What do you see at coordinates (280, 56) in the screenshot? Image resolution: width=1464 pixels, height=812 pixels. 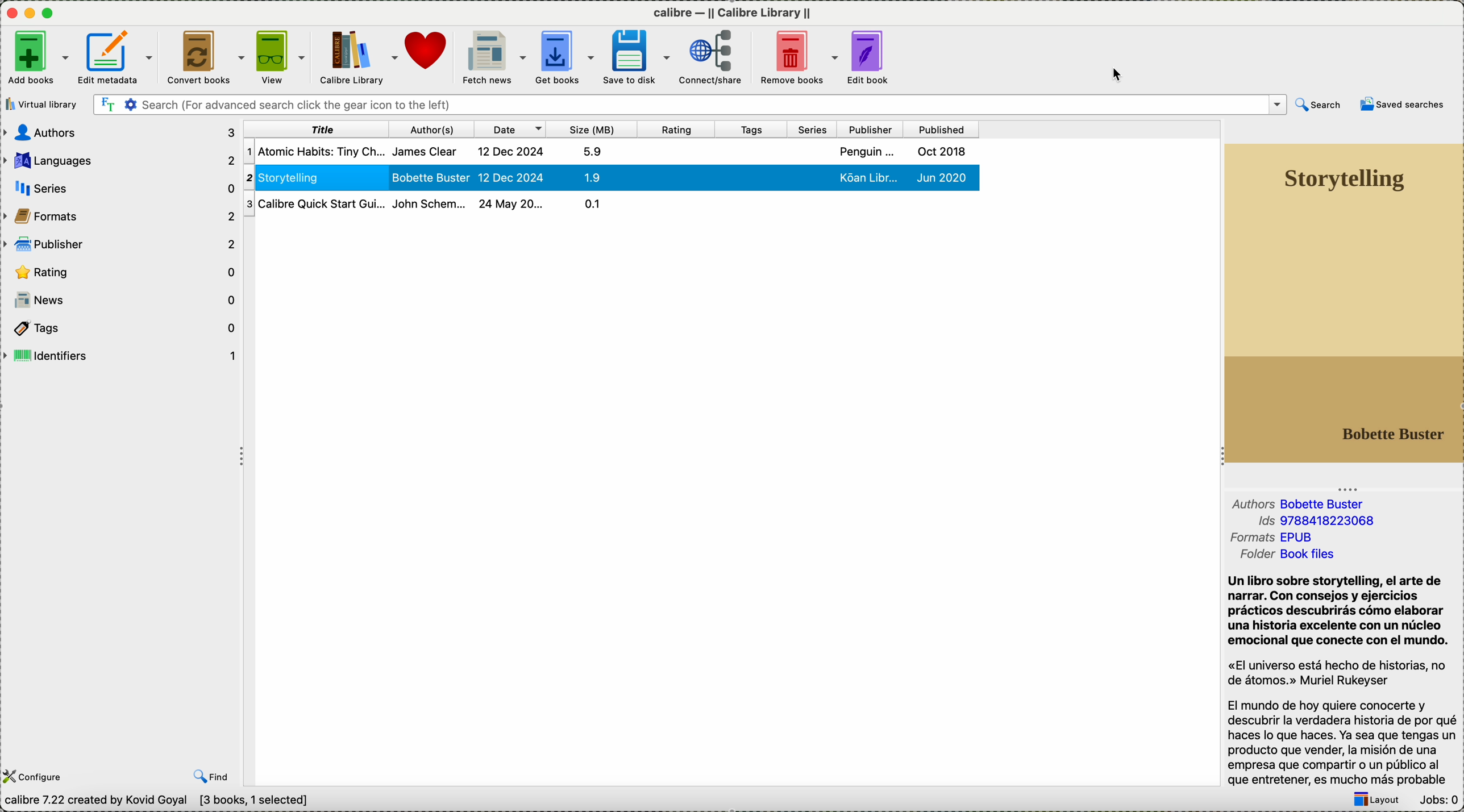 I see `view` at bounding box center [280, 56].